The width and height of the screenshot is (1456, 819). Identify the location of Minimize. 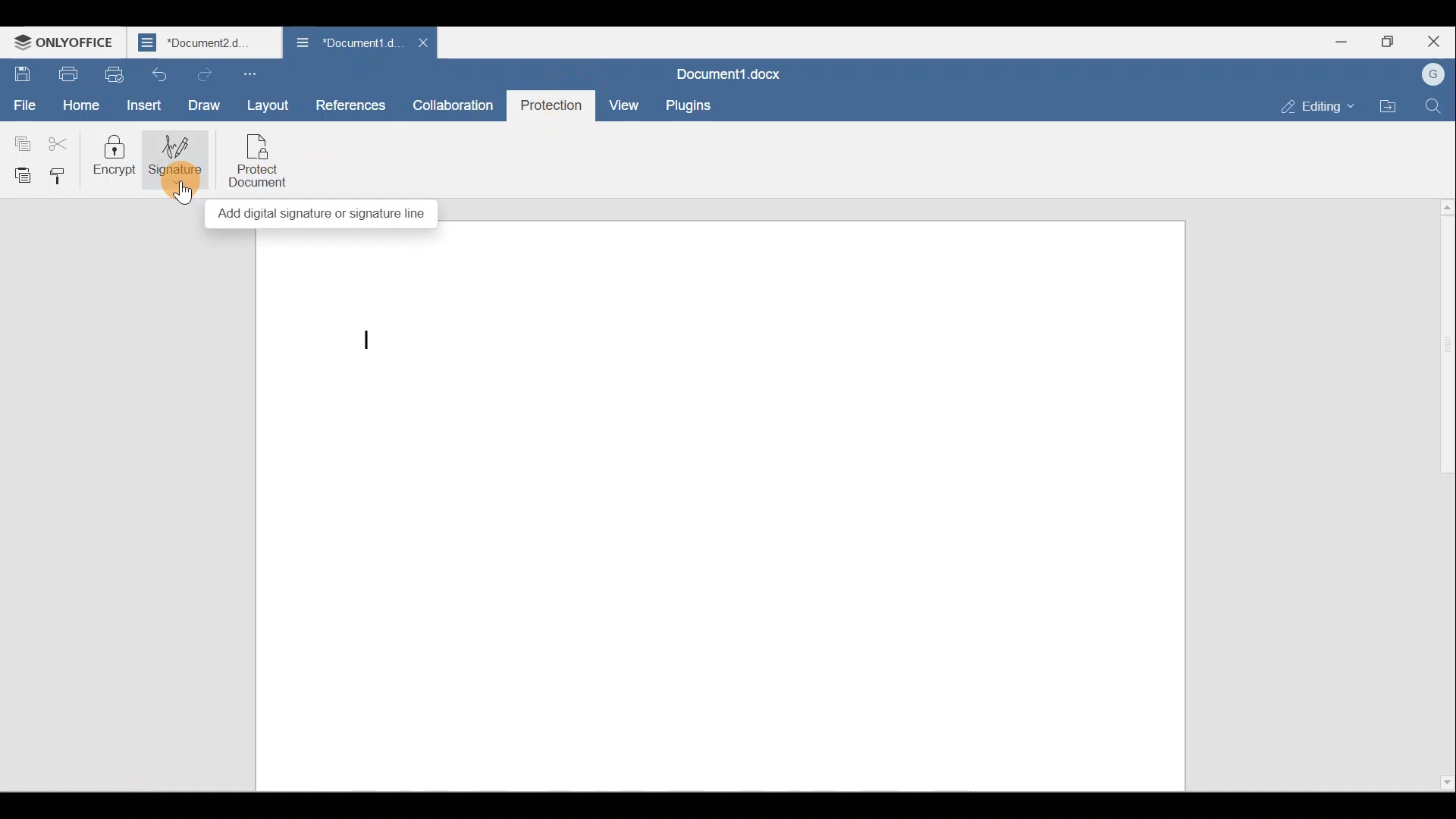
(1330, 40).